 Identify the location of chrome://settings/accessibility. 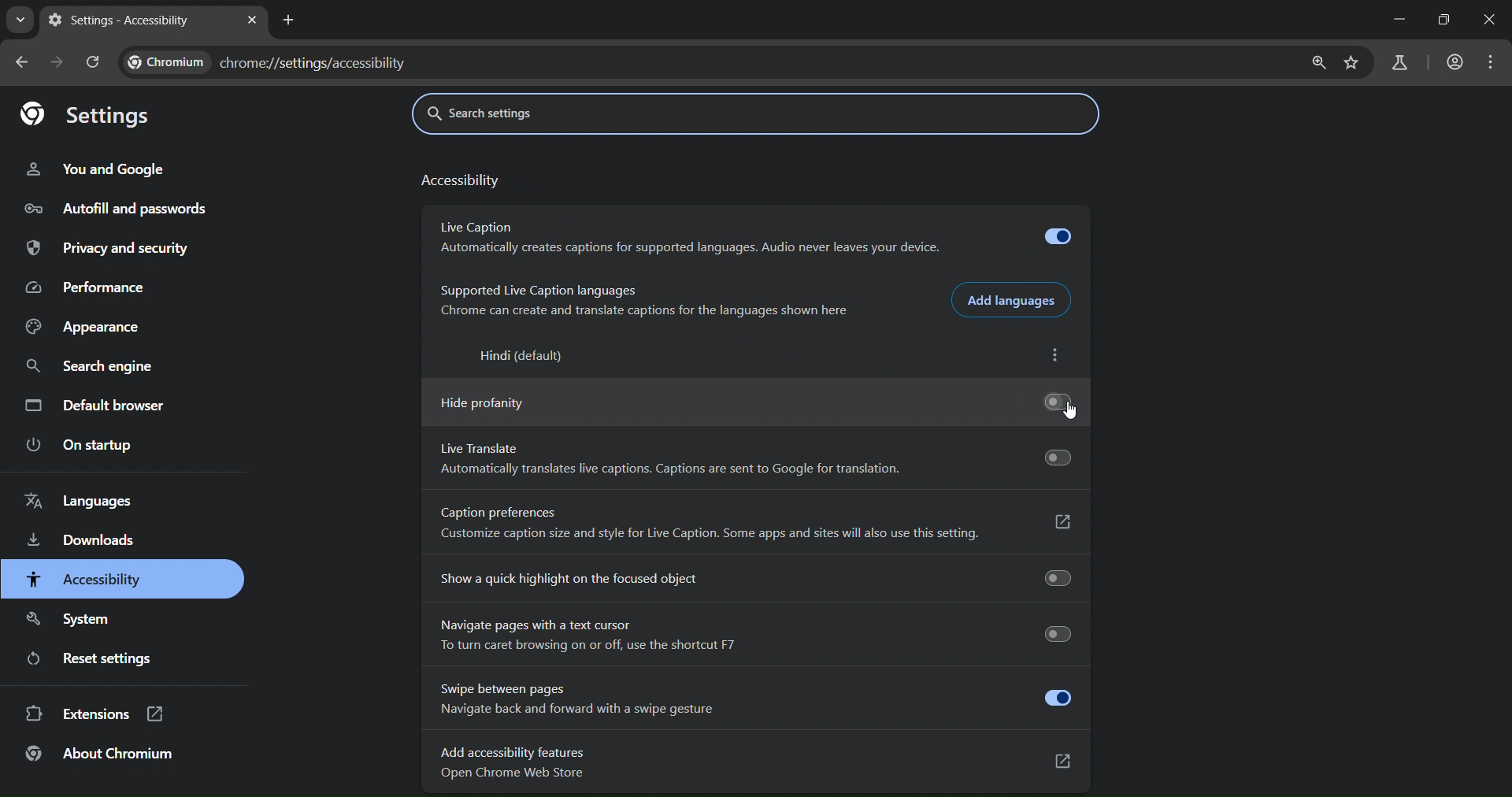
(314, 61).